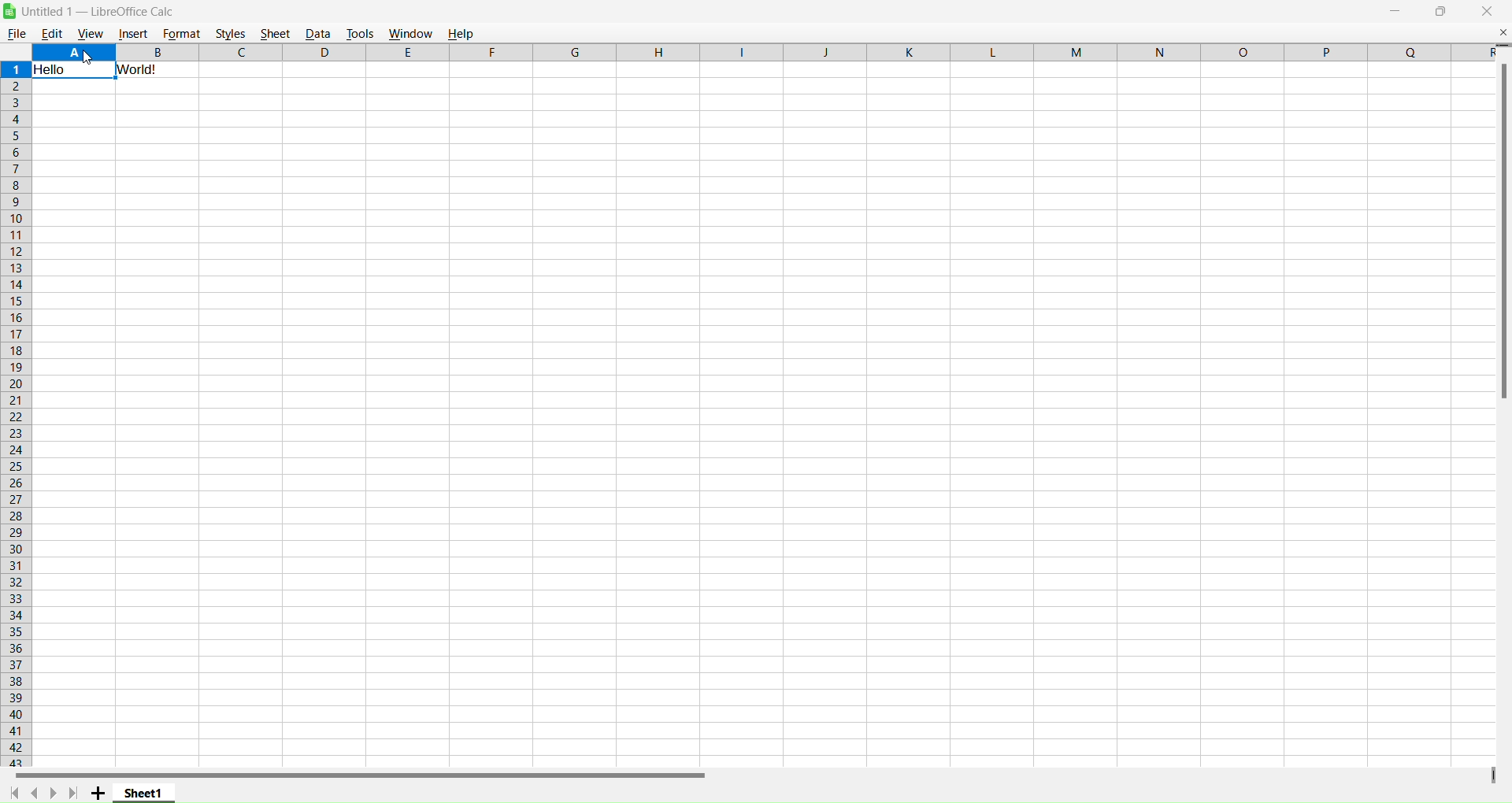 This screenshot has width=1512, height=803. Describe the element at coordinates (144, 792) in the screenshot. I see `Current Sheet` at that location.